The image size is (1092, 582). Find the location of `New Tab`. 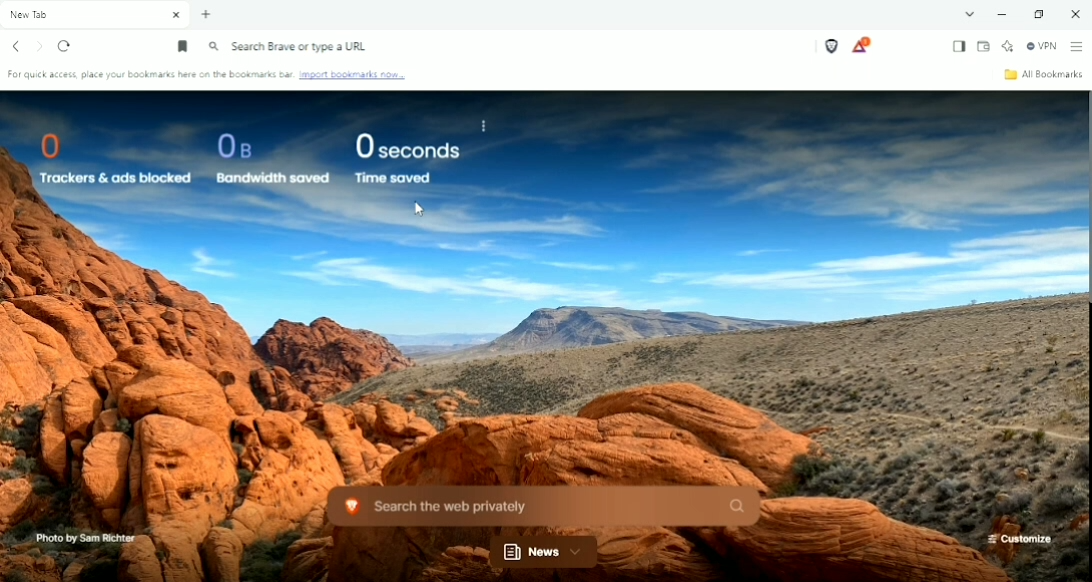

New Tab is located at coordinates (96, 15).